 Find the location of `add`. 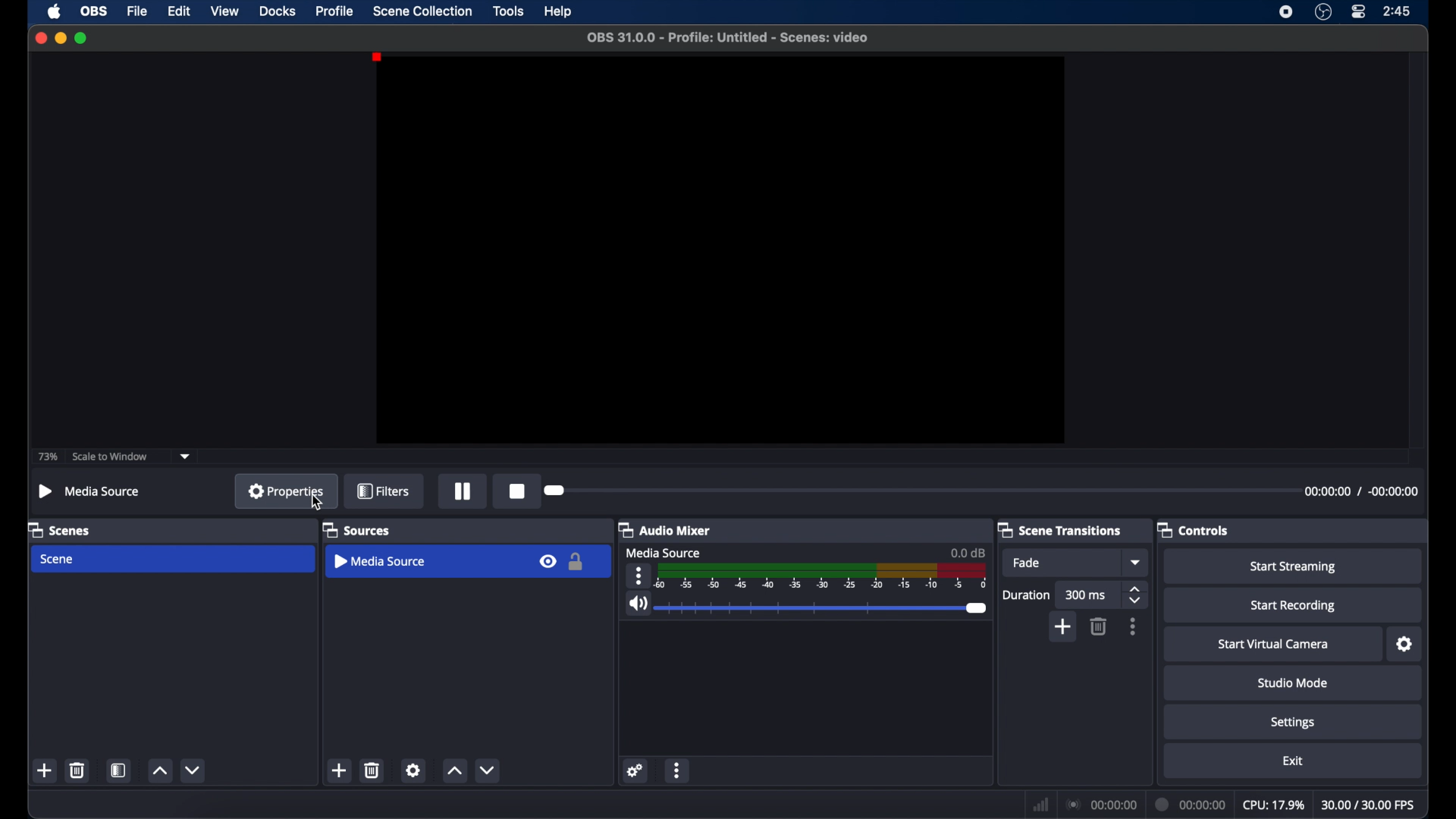

add is located at coordinates (340, 770).